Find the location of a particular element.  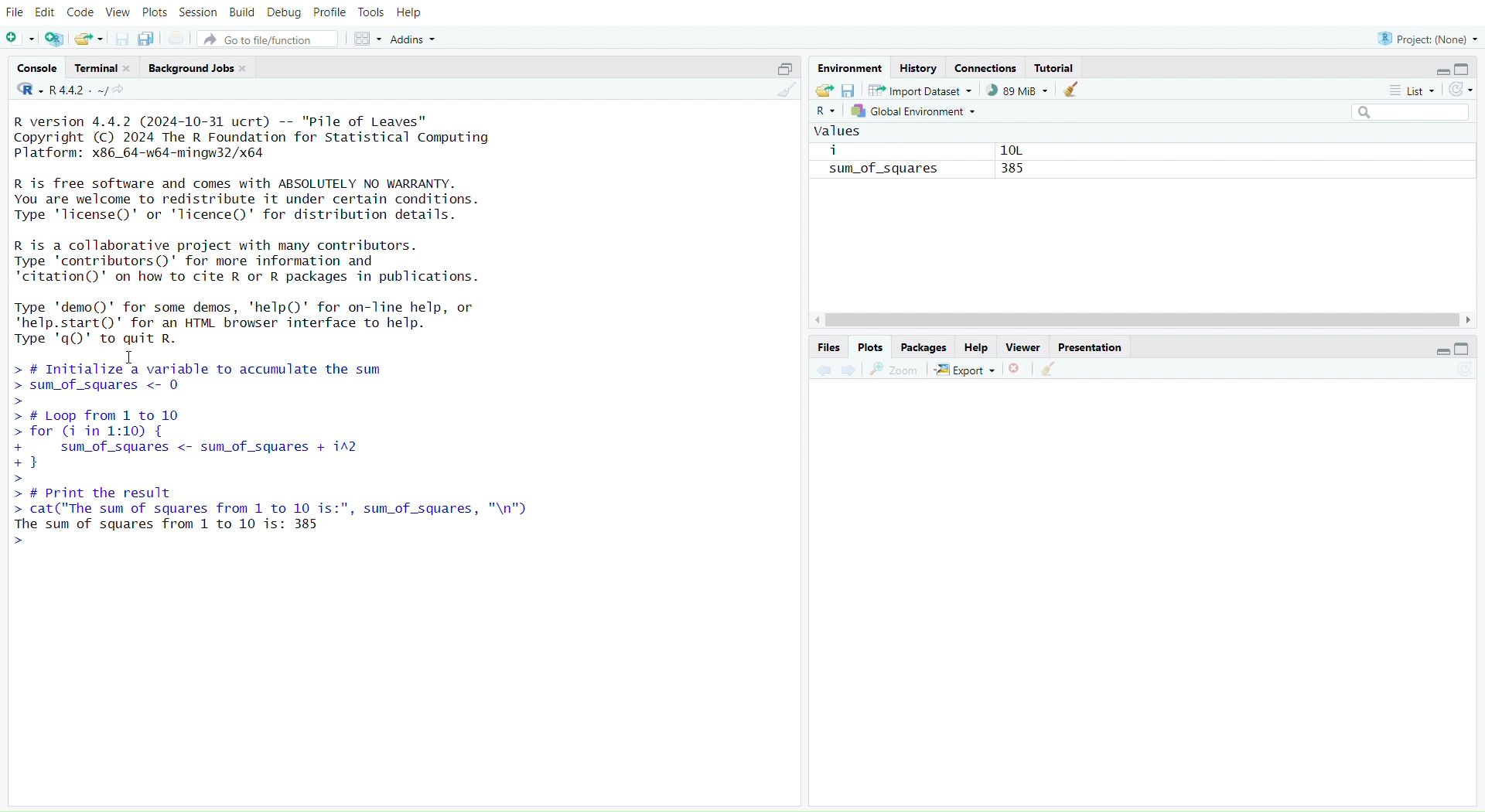

refresh current plot is located at coordinates (1468, 368).